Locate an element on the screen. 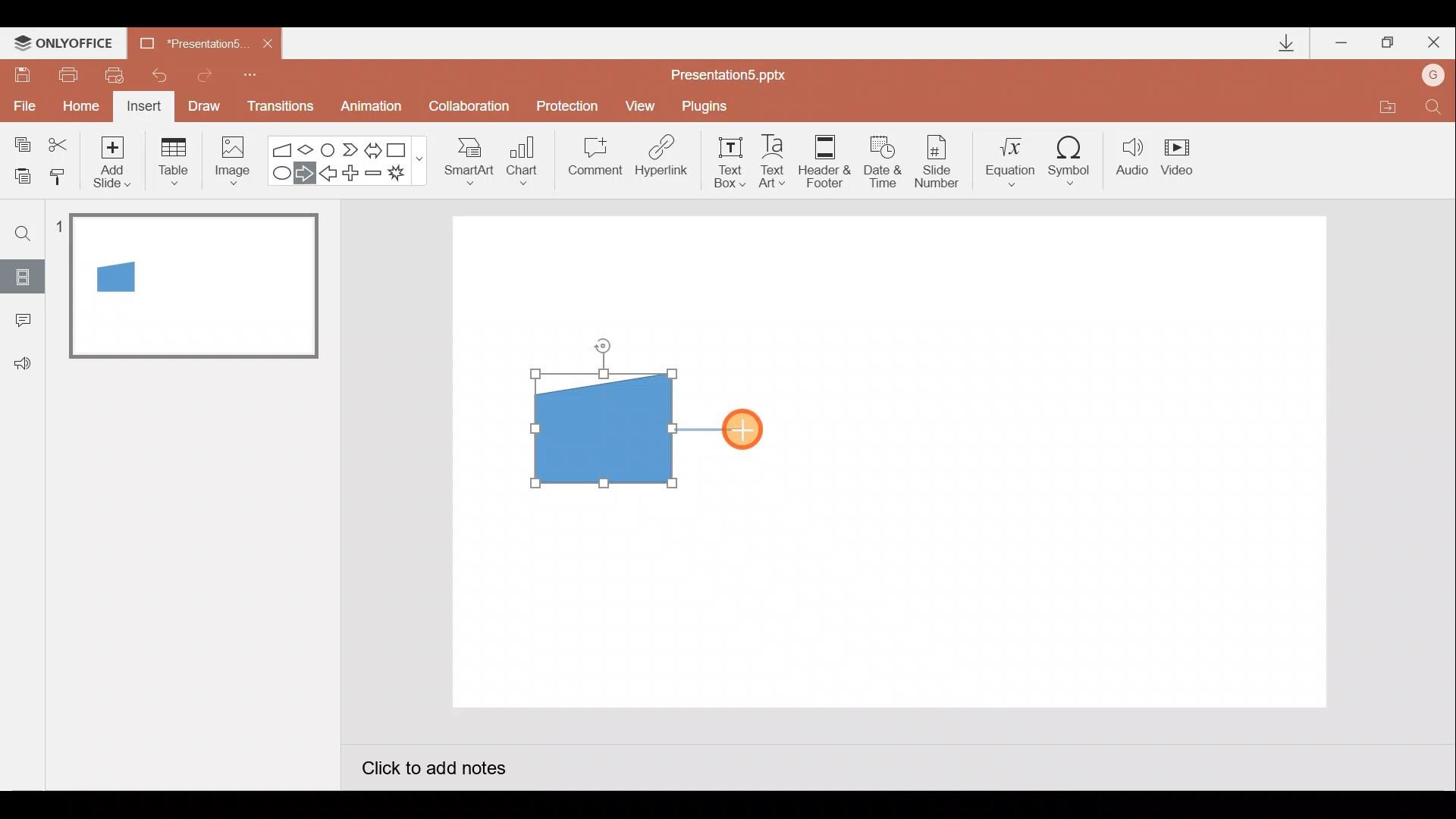 The height and width of the screenshot is (819, 1456). Hyperlink is located at coordinates (663, 161).